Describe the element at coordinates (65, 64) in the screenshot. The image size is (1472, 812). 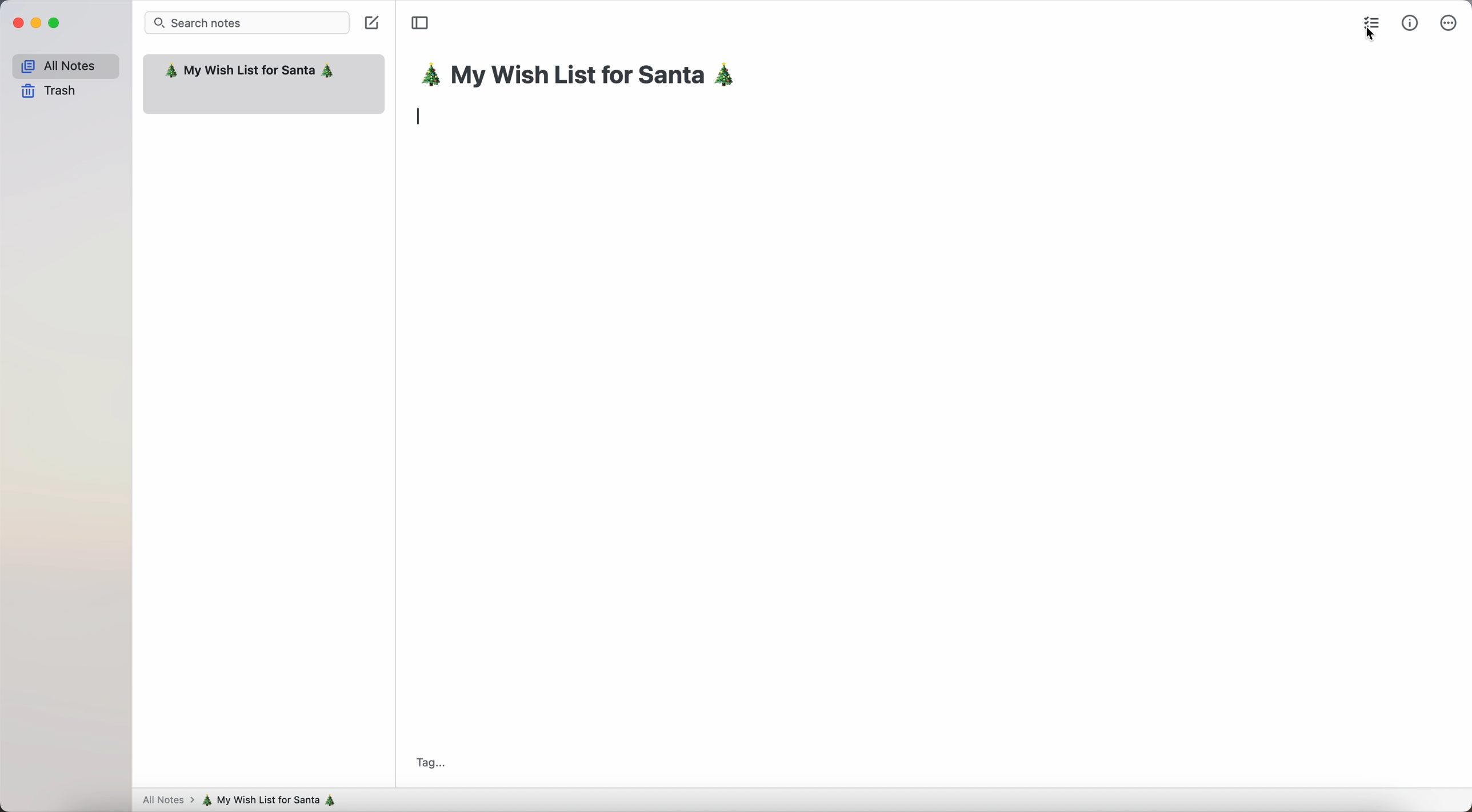
I see `all notes` at that location.